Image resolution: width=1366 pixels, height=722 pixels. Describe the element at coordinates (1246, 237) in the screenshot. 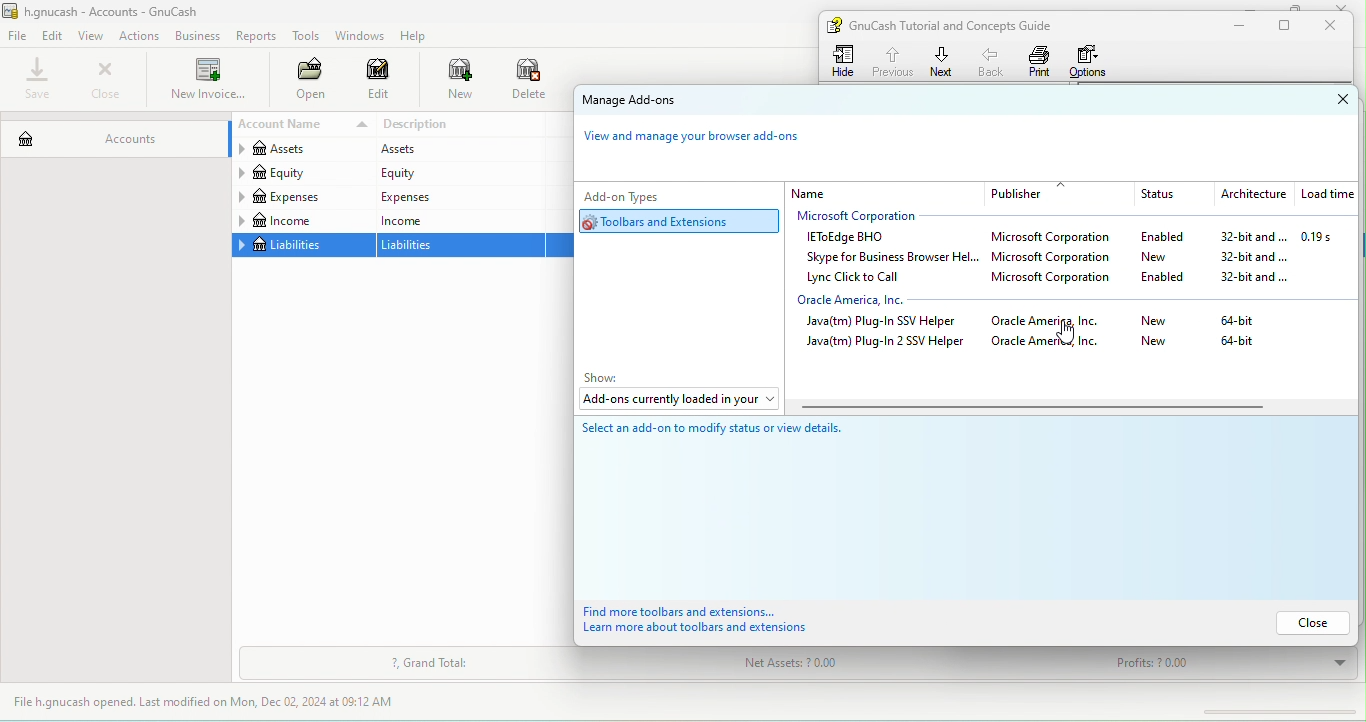

I see `32 bit and` at that location.